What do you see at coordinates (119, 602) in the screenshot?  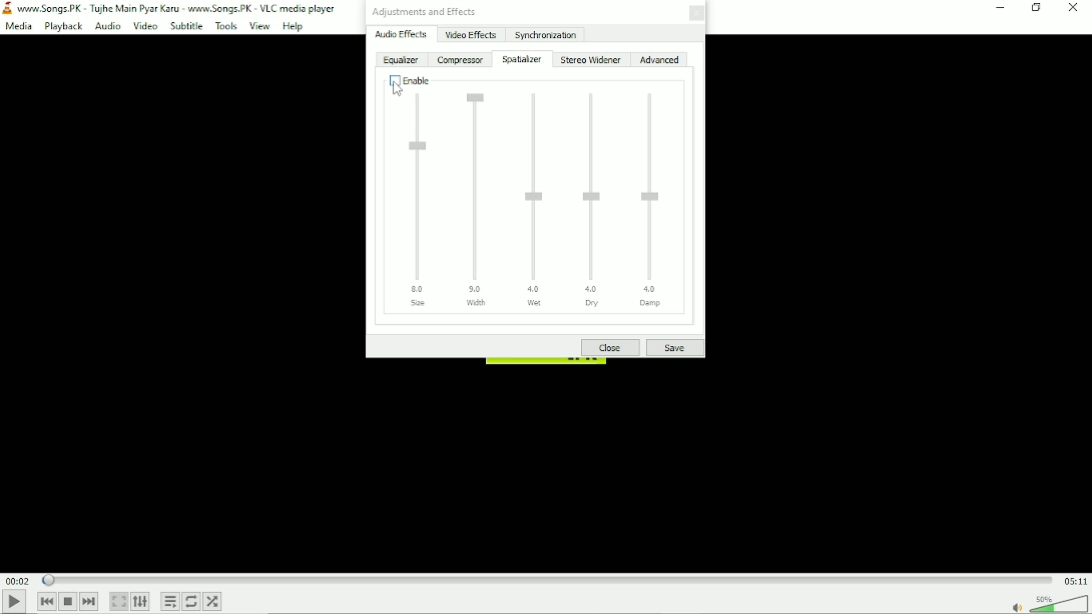 I see `Toggle video in fullscreen` at bounding box center [119, 602].